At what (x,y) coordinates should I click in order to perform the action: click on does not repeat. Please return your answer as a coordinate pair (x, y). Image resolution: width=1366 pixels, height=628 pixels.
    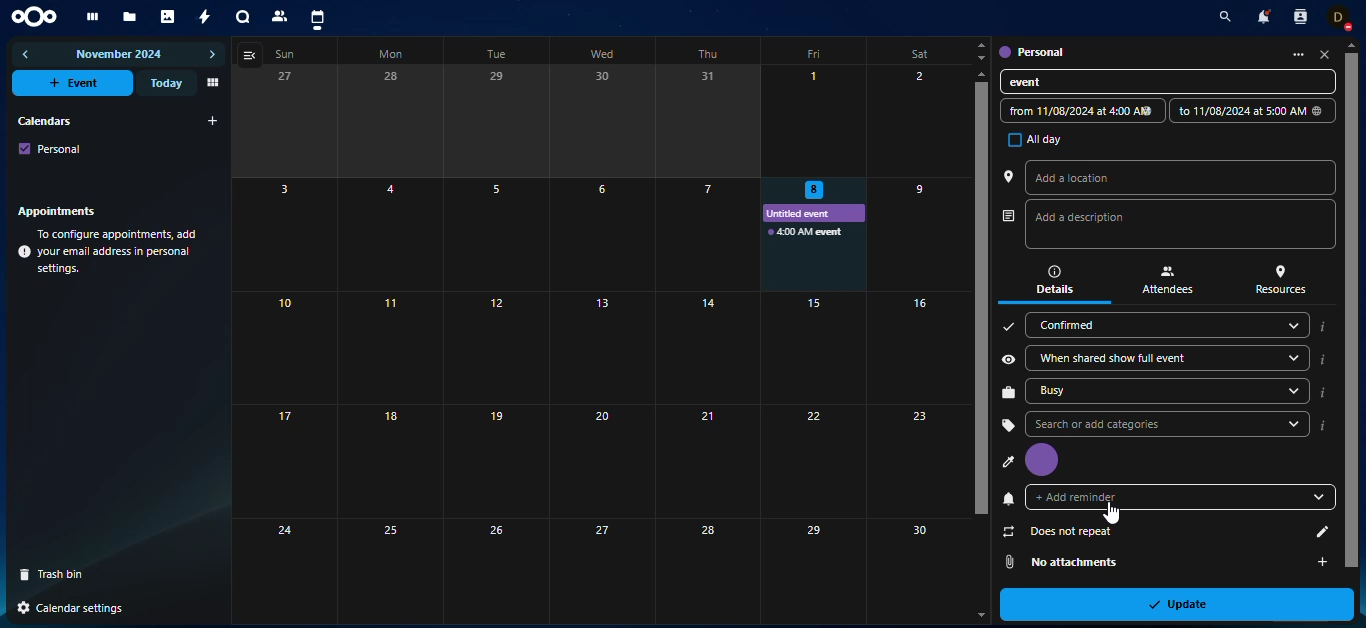
    Looking at the image, I should click on (1061, 532).